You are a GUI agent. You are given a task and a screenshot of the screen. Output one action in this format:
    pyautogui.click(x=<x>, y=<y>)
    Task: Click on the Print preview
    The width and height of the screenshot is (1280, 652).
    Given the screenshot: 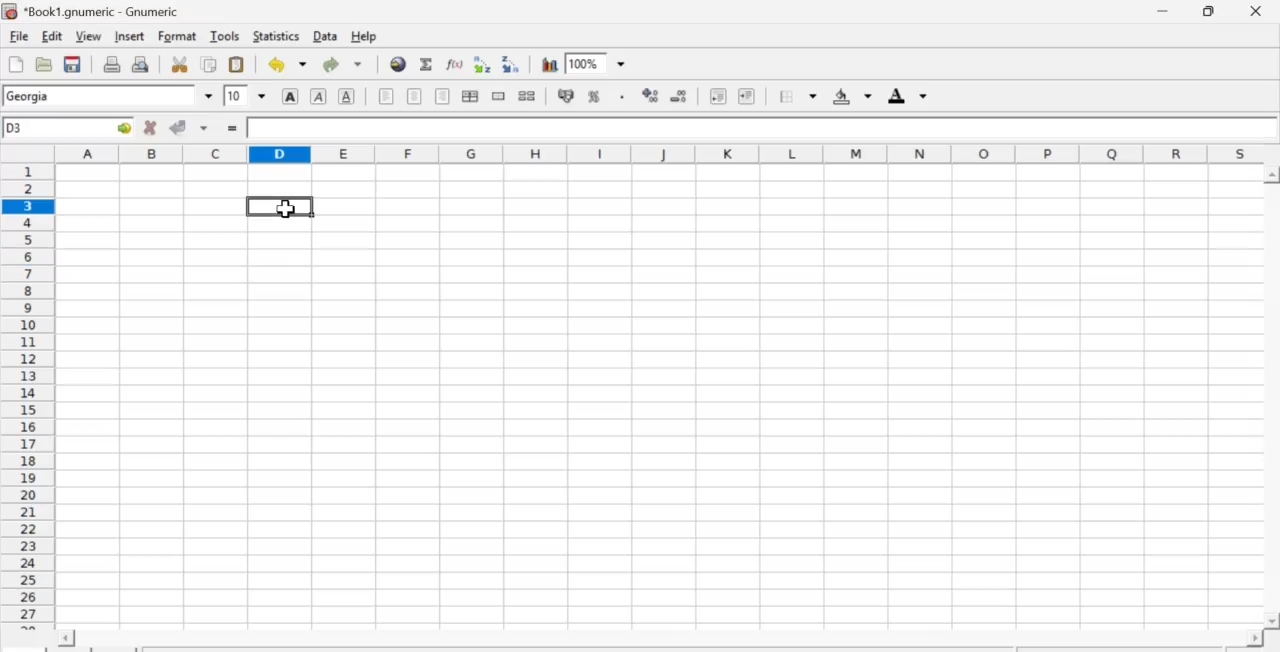 What is the action you would take?
    pyautogui.click(x=144, y=64)
    